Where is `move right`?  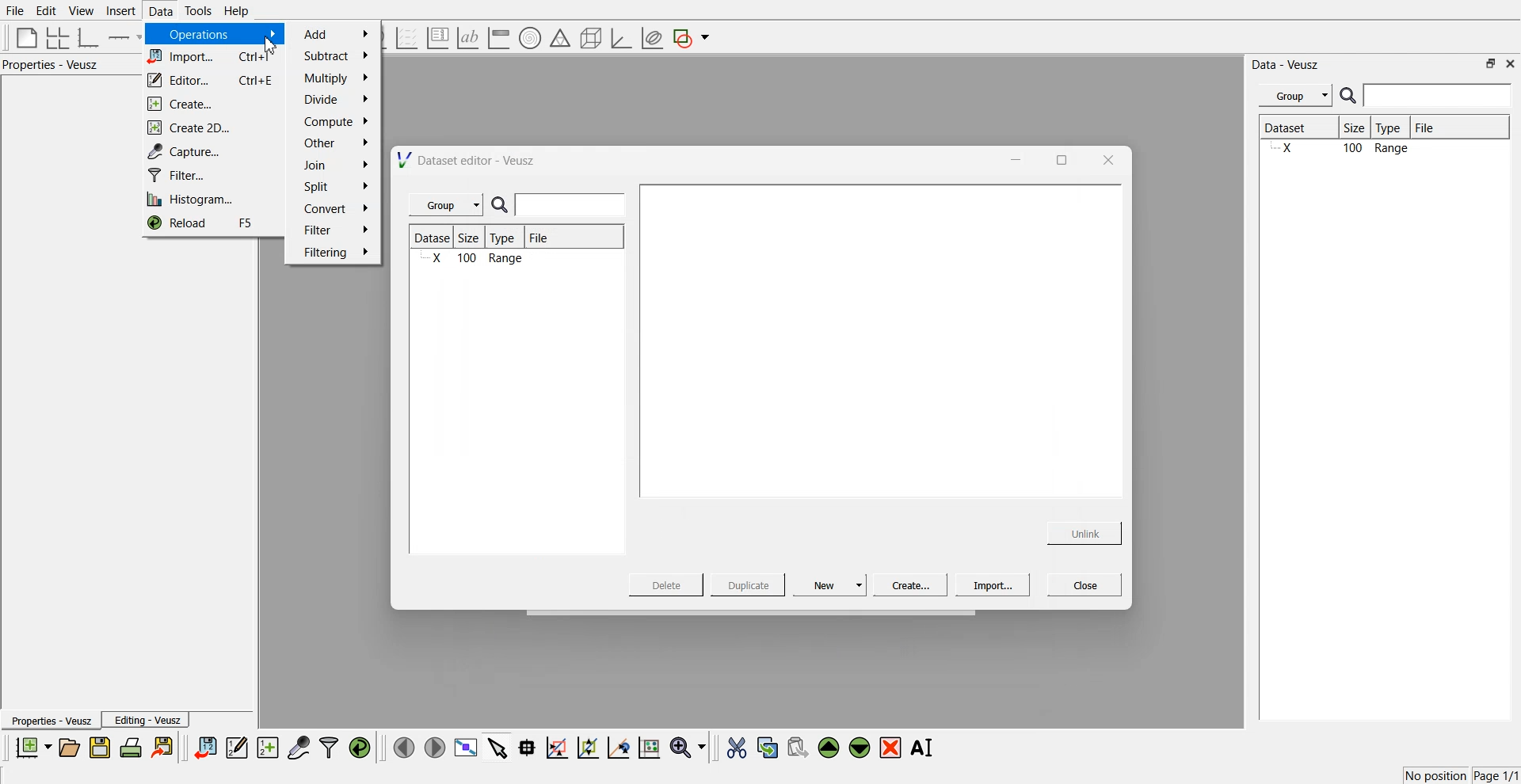
move right is located at coordinates (434, 746).